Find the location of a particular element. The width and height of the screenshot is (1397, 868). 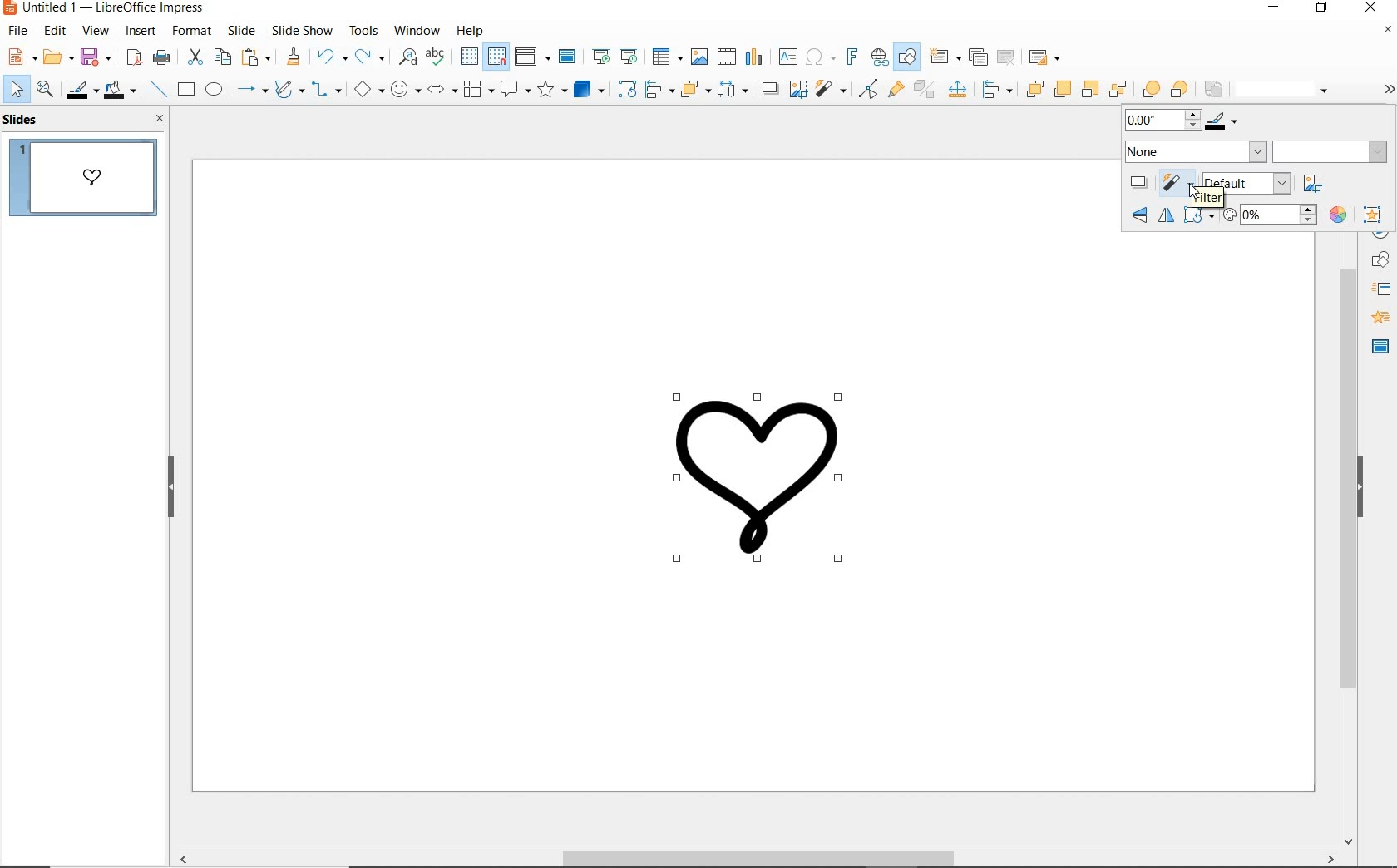

delete slide is located at coordinates (1006, 57).